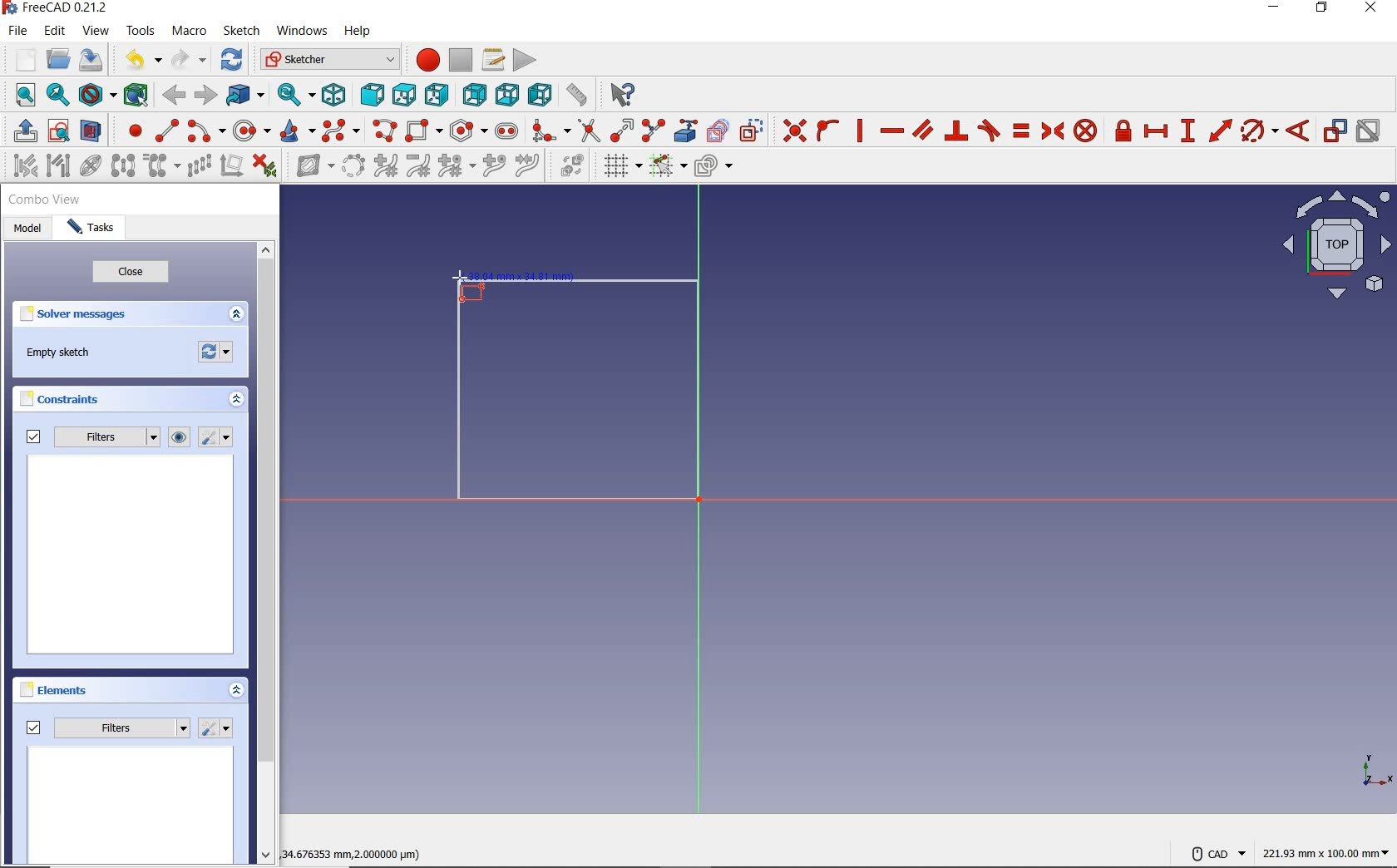 The image size is (1397, 868). Describe the element at coordinates (89, 166) in the screenshot. I see `show/hide internal geometry` at that location.